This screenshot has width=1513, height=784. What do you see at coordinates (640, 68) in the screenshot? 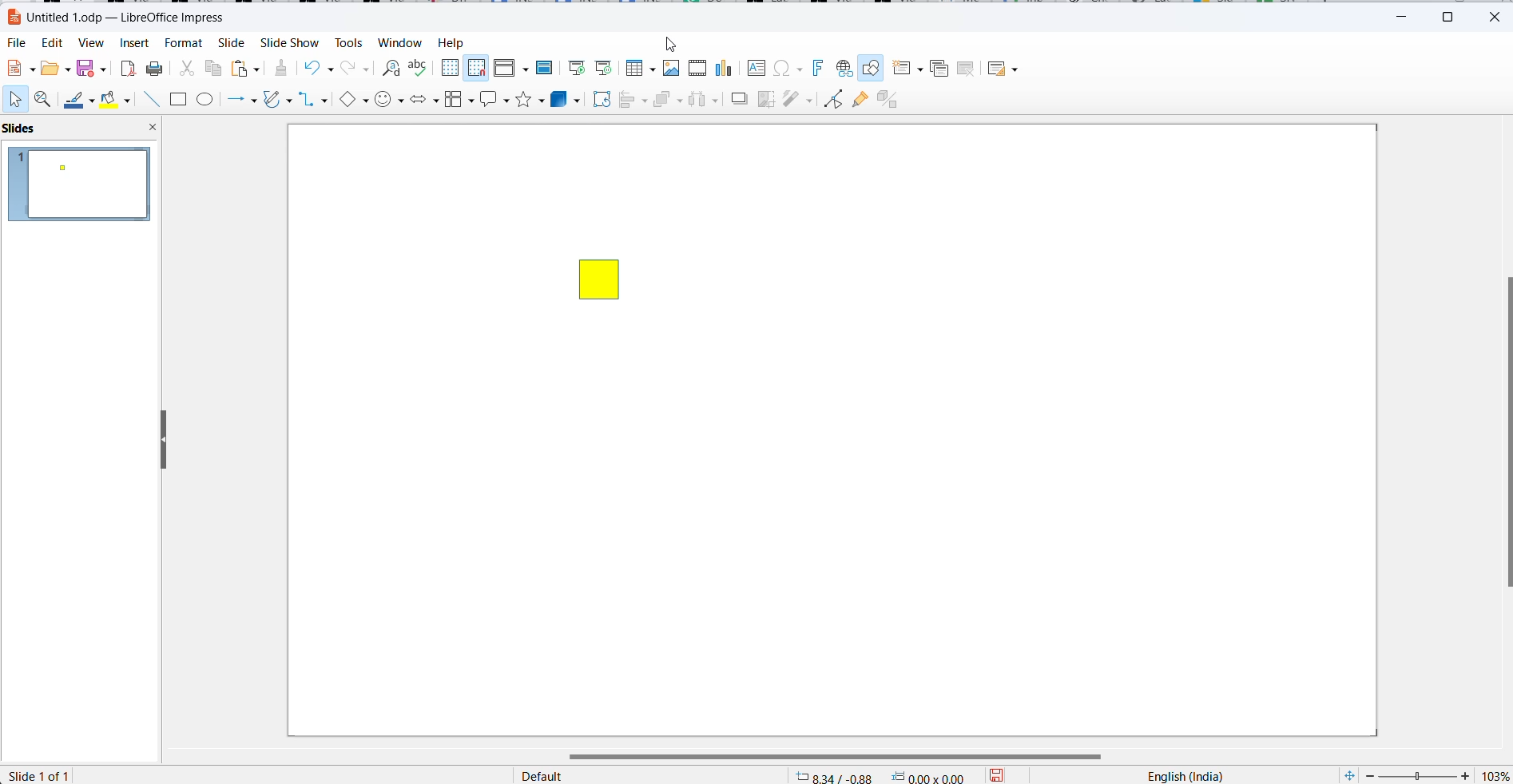
I see `Insert table` at bounding box center [640, 68].